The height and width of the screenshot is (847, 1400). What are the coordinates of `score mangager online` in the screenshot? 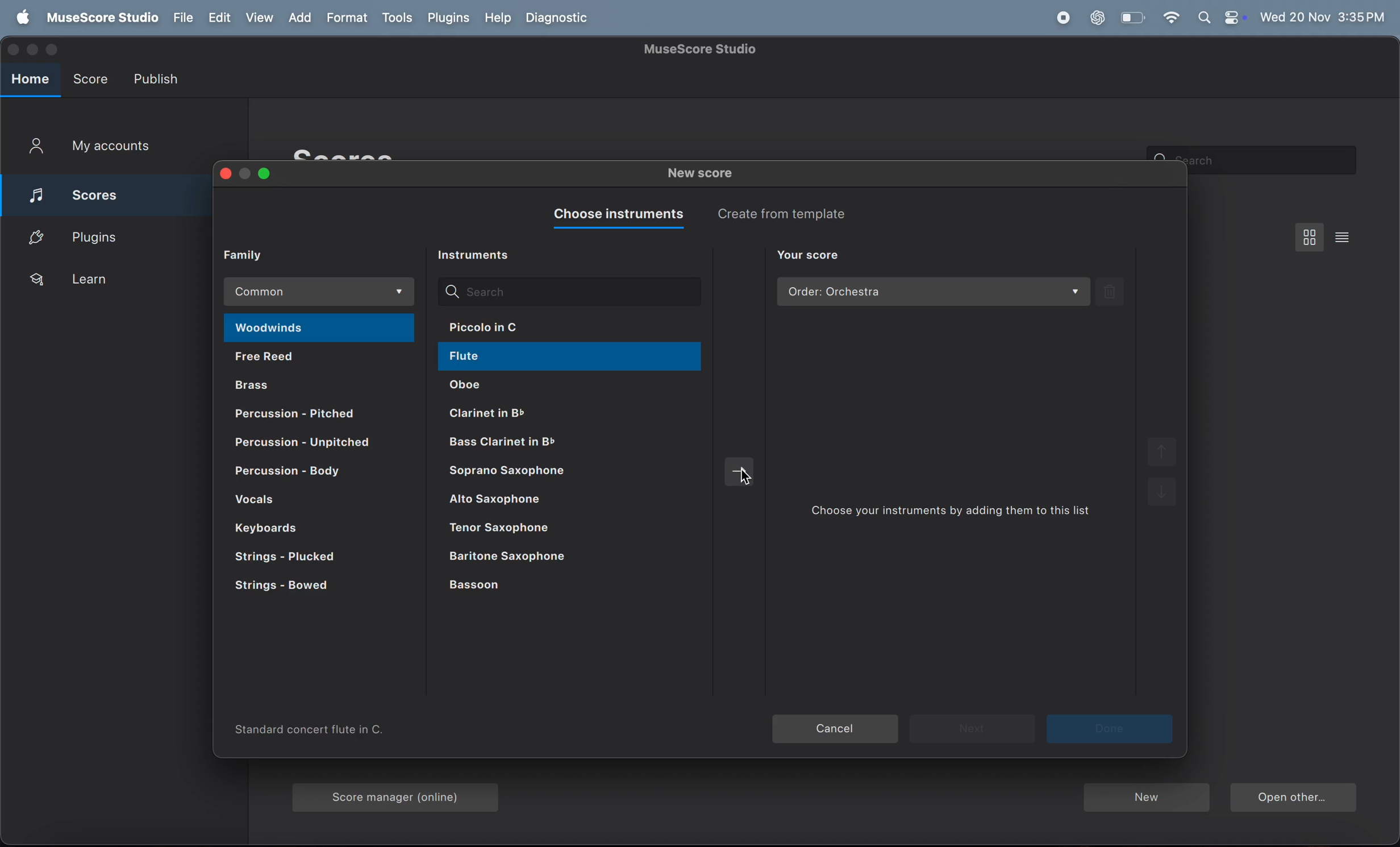 It's located at (400, 794).